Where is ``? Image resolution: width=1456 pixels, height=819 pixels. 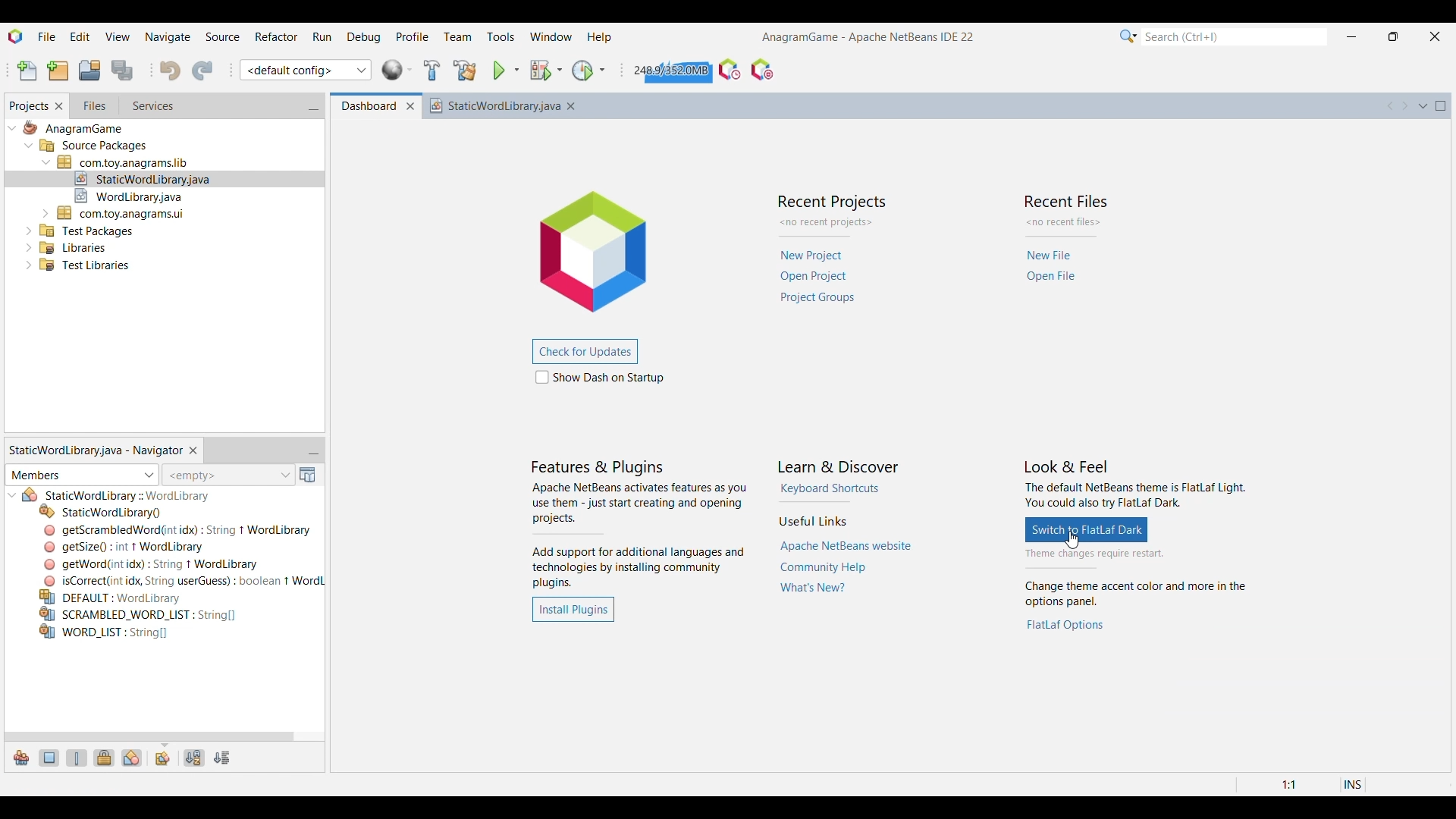  is located at coordinates (127, 496).